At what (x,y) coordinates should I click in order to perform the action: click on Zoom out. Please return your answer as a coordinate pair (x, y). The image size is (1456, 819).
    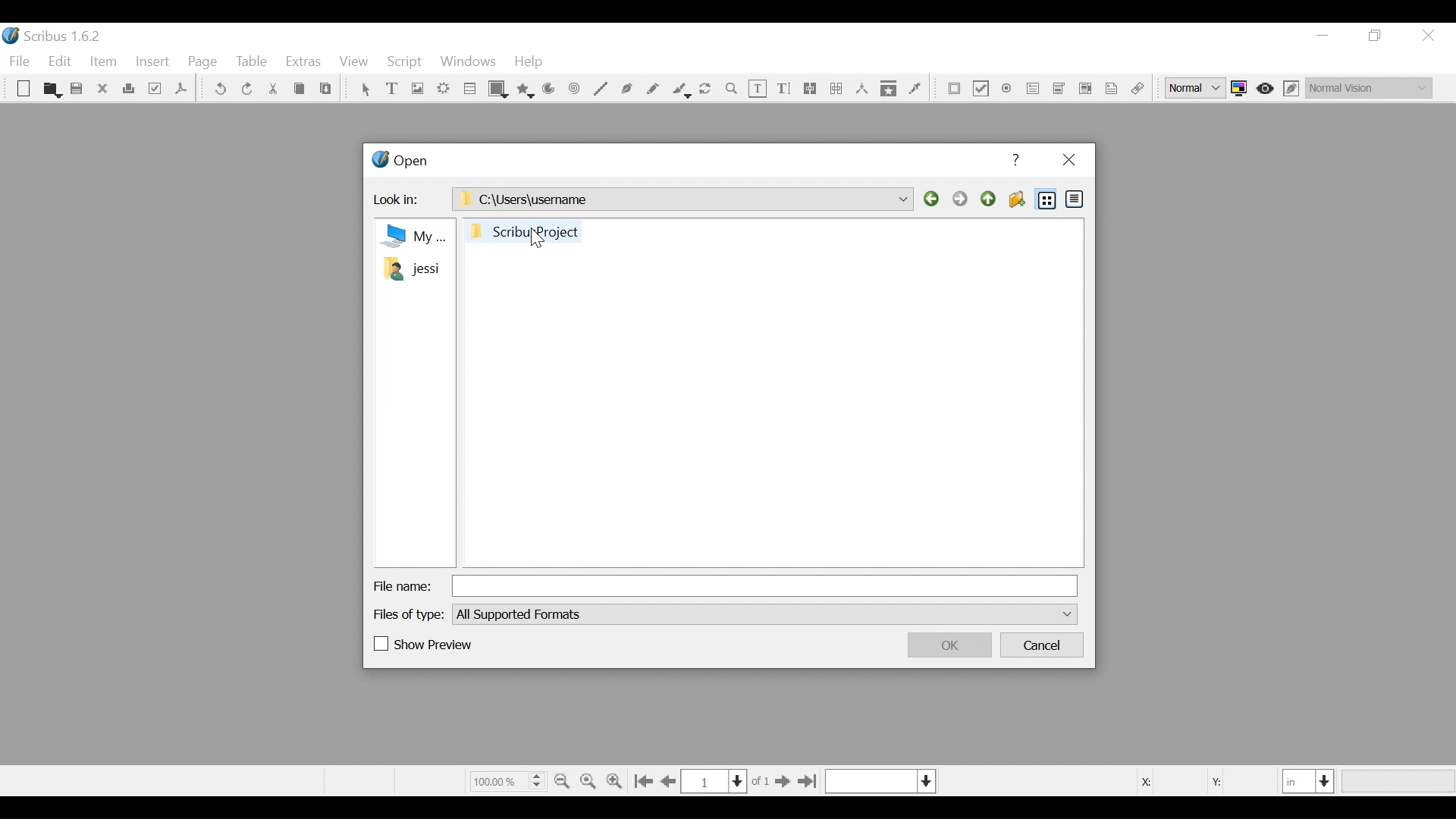
    Looking at the image, I should click on (563, 780).